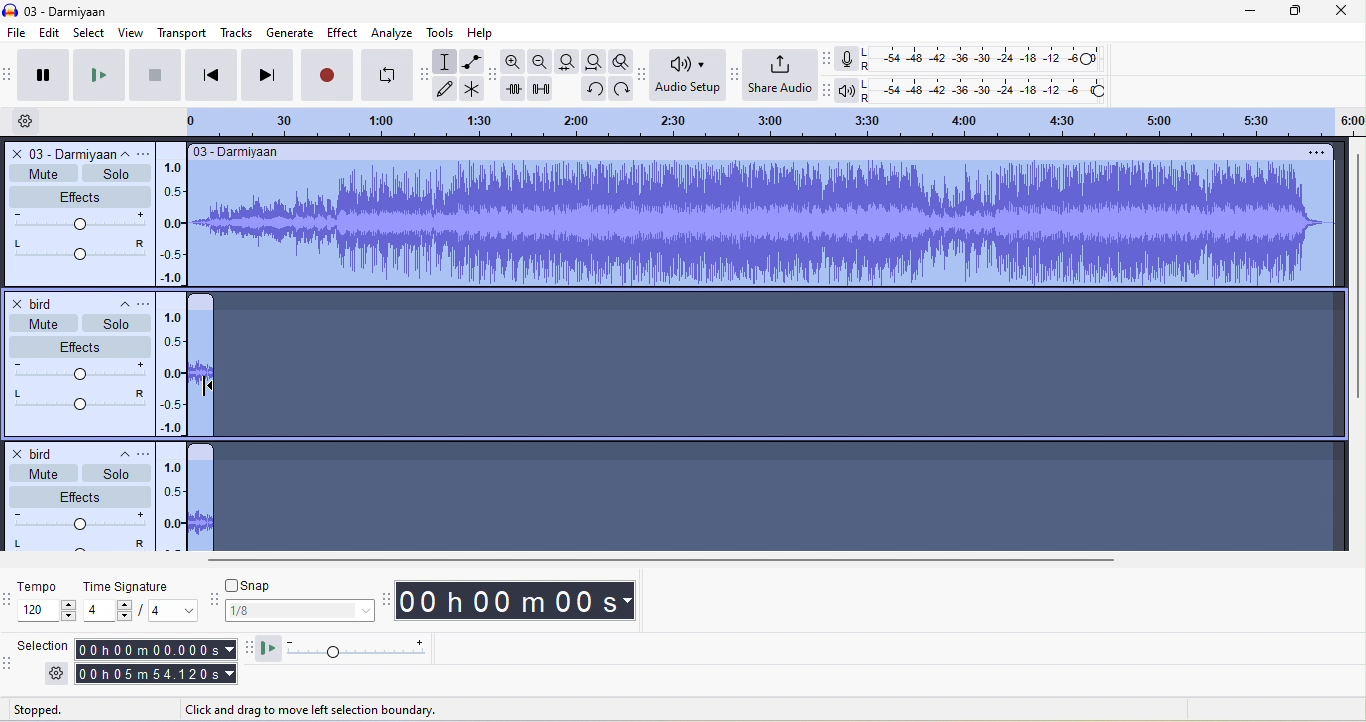  I want to click on timeline option, so click(34, 121).